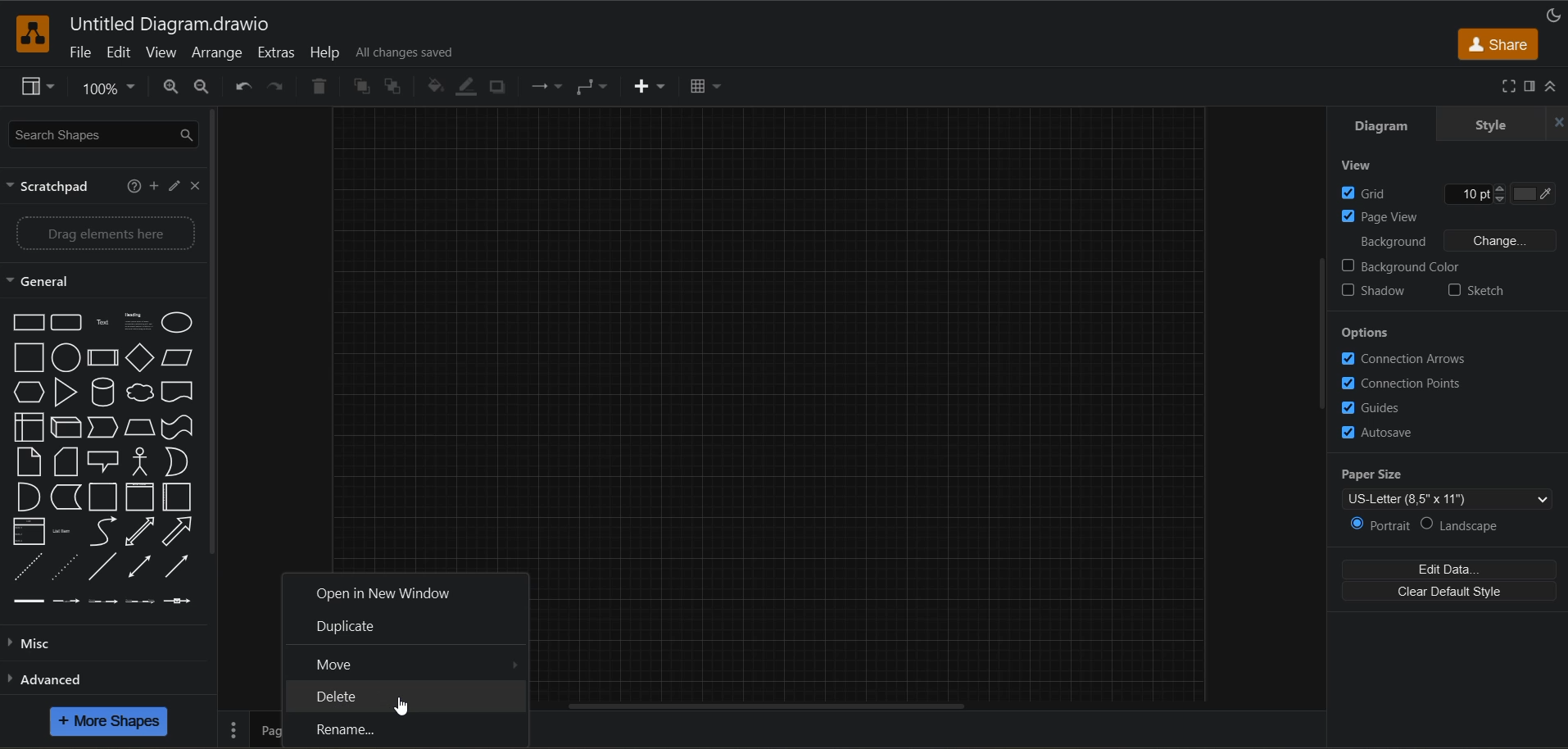 The image size is (1568, 749). What do you see at coordinates (163, 53) in the screenshot?
I see `view` at bounding box center [163, 53].